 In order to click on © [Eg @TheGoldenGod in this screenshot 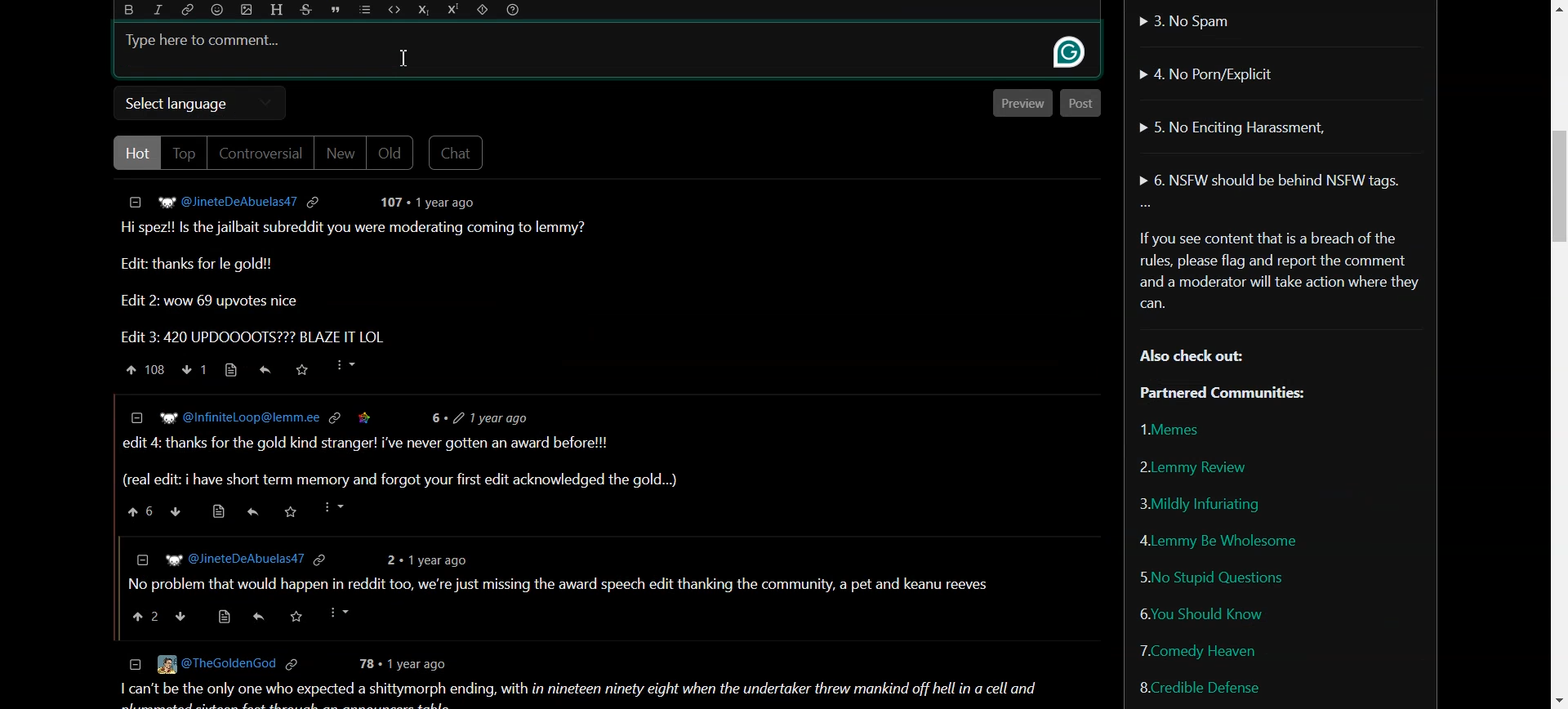, I will do `click(229, 664)`.